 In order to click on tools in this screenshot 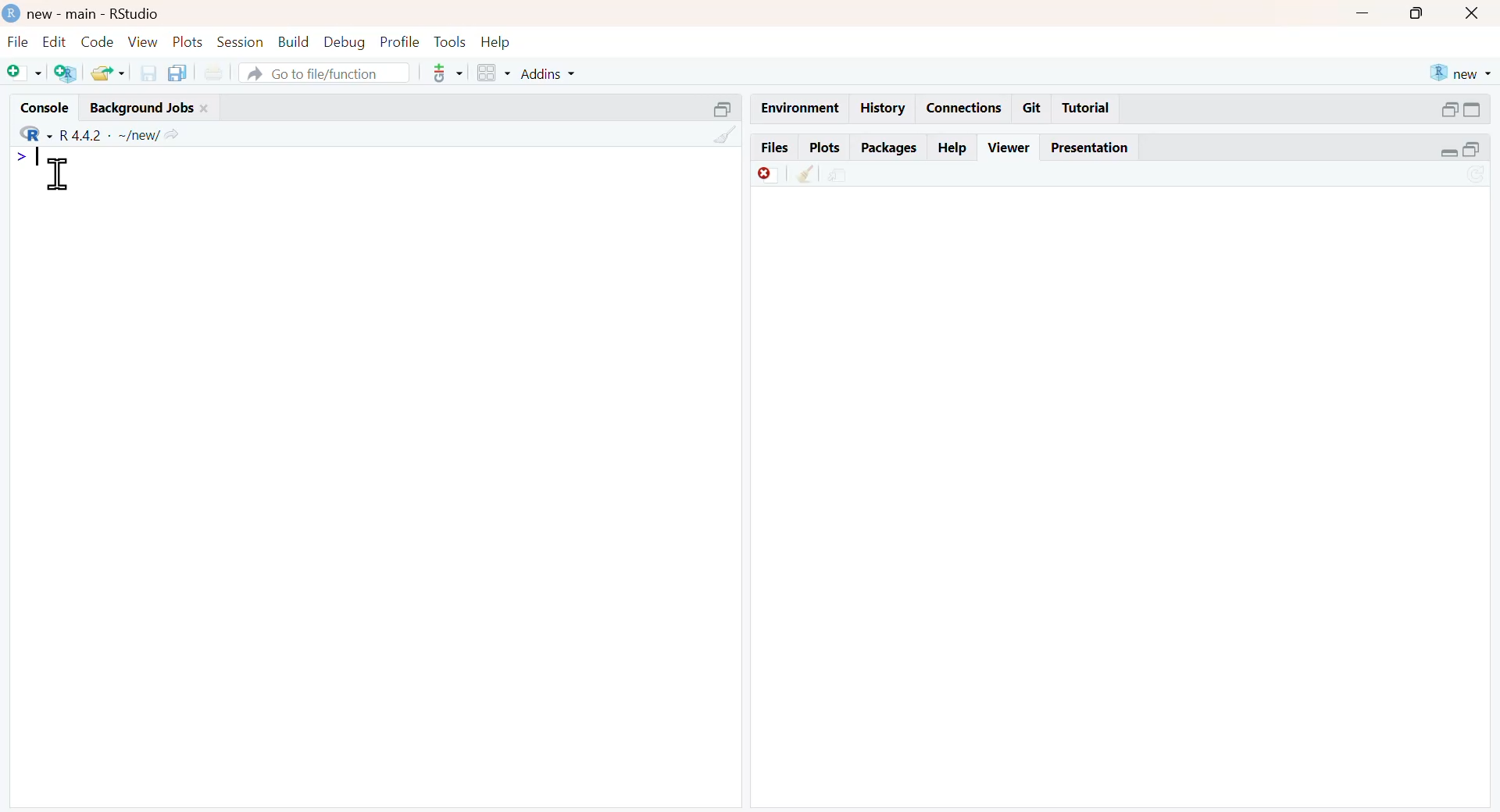, I will do `click(450, 41)`.